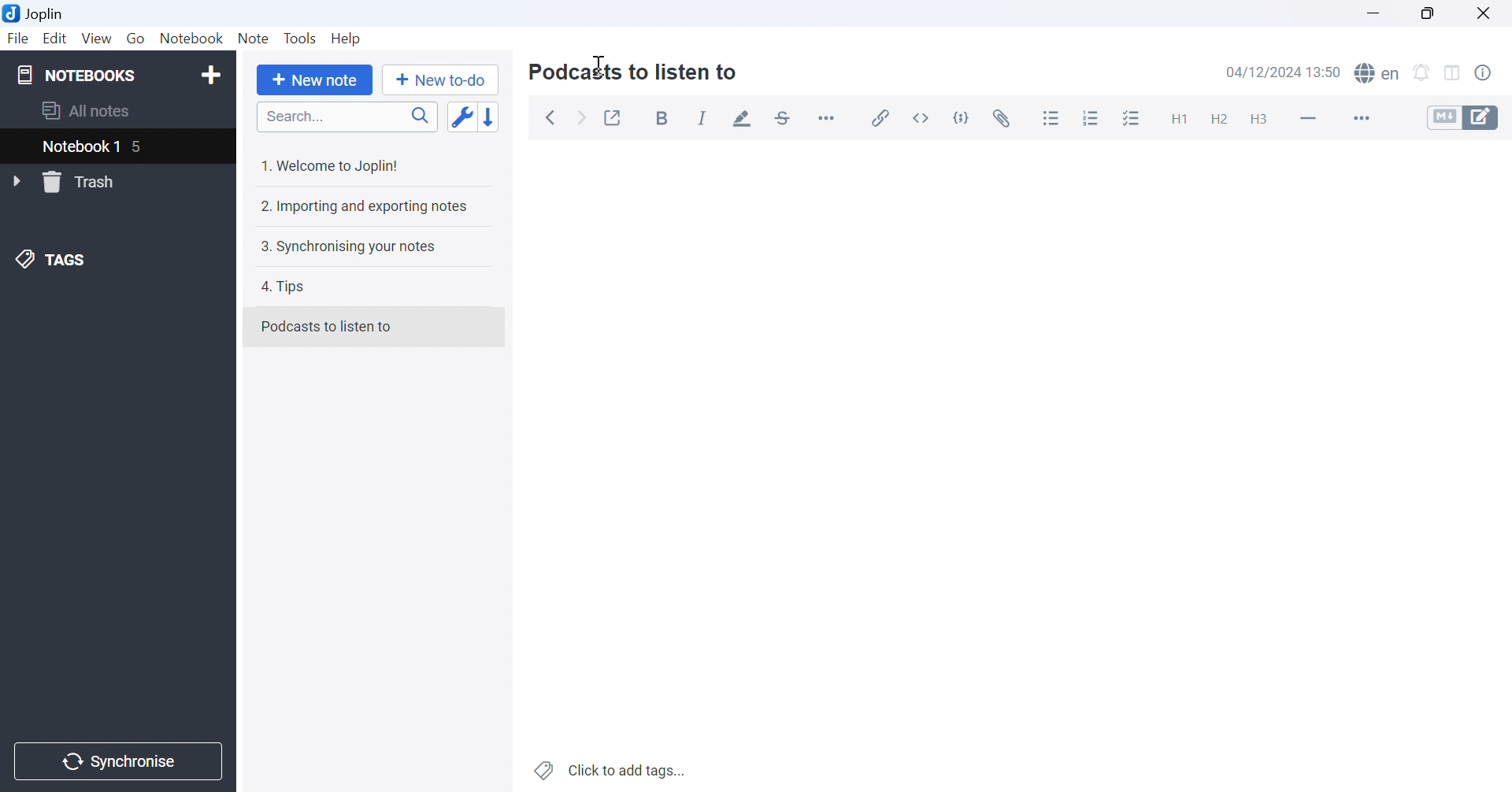  What do you see at coordinates (210, 77) in the screenshot?
I see `Add notebook` at bounding box center [210, 77].